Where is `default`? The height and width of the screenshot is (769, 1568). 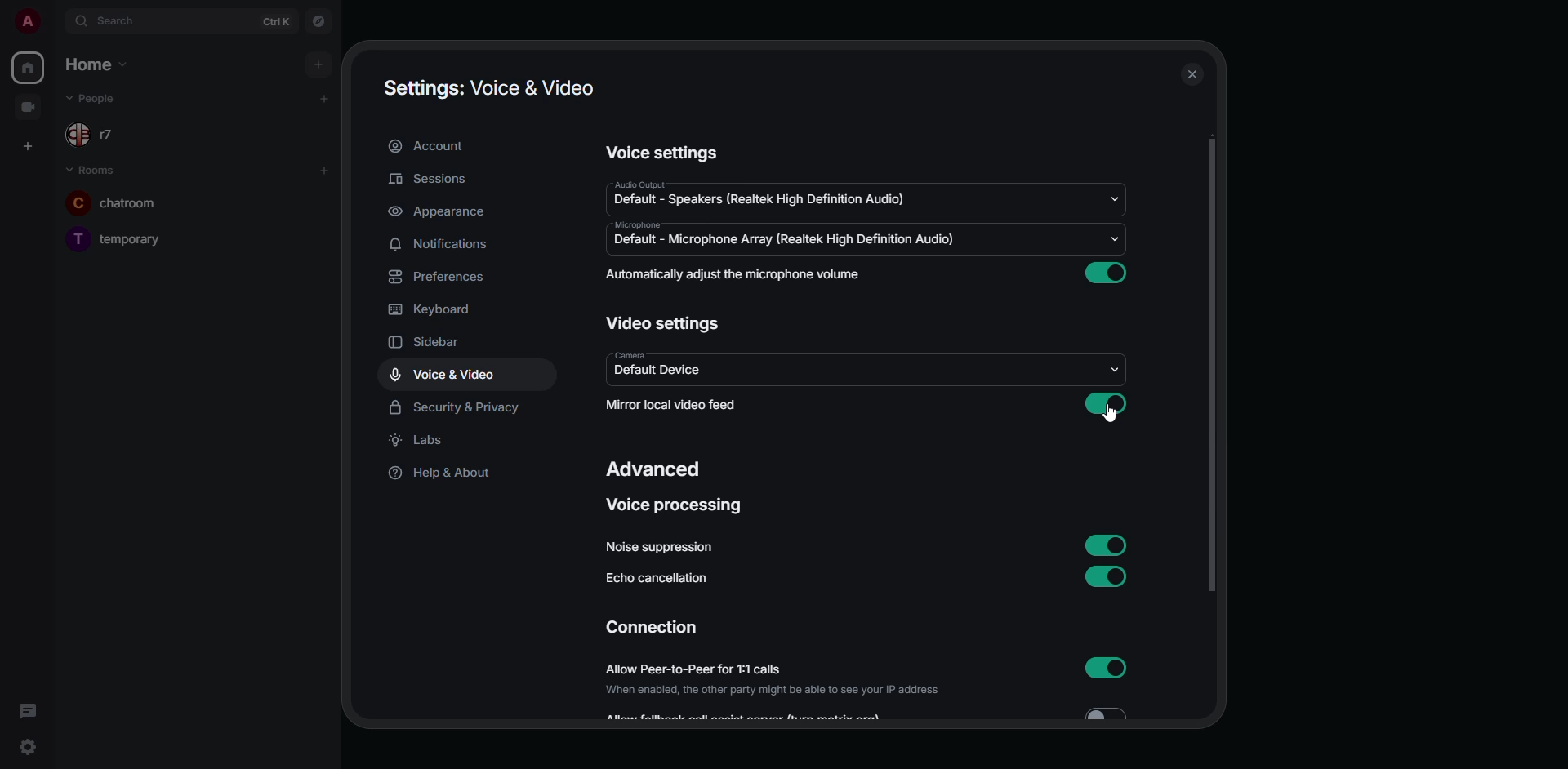
default is located at coordinates (660, 371).